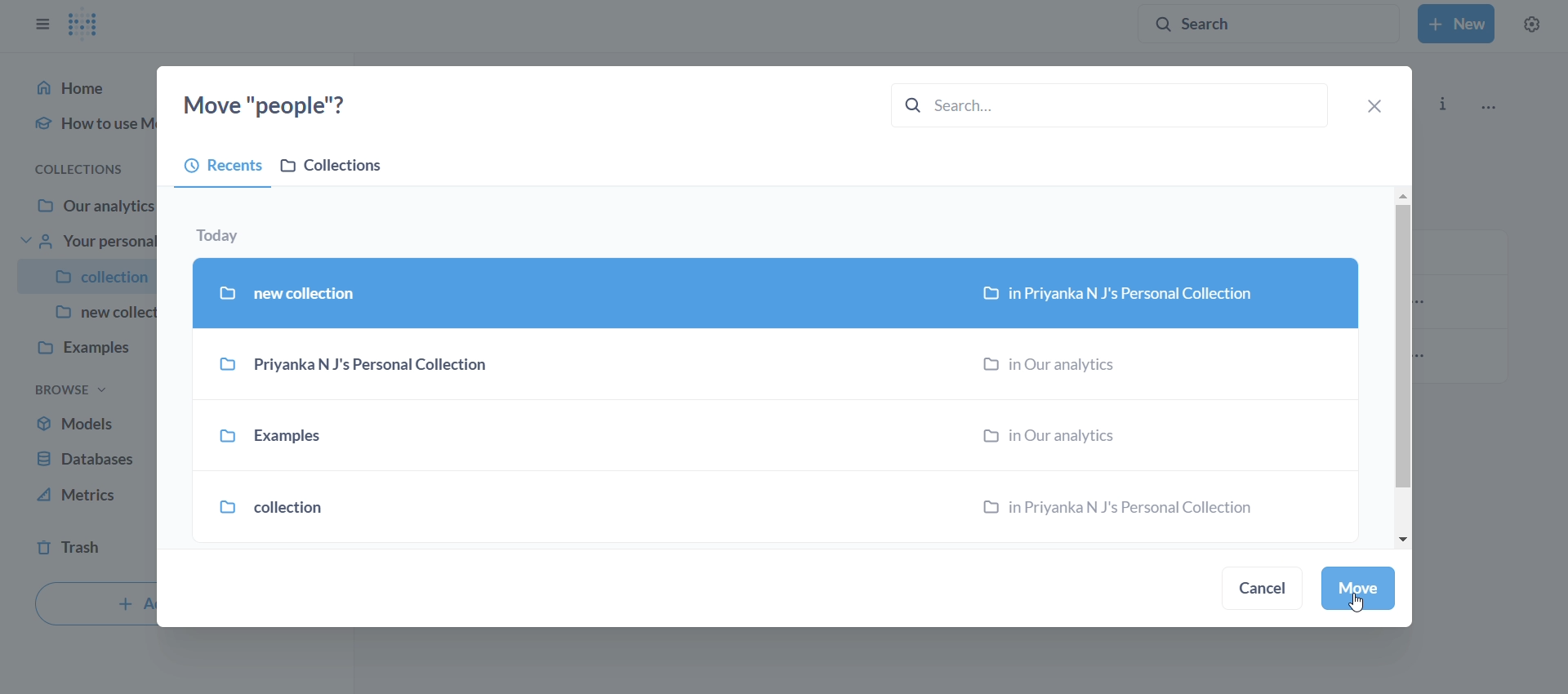 Image resolution: width=1568 pixels, height=694 pixels. What do you see at coordinates (87, 242) in the screenshot?
I see `your personal` at bounding box center [87, 242].